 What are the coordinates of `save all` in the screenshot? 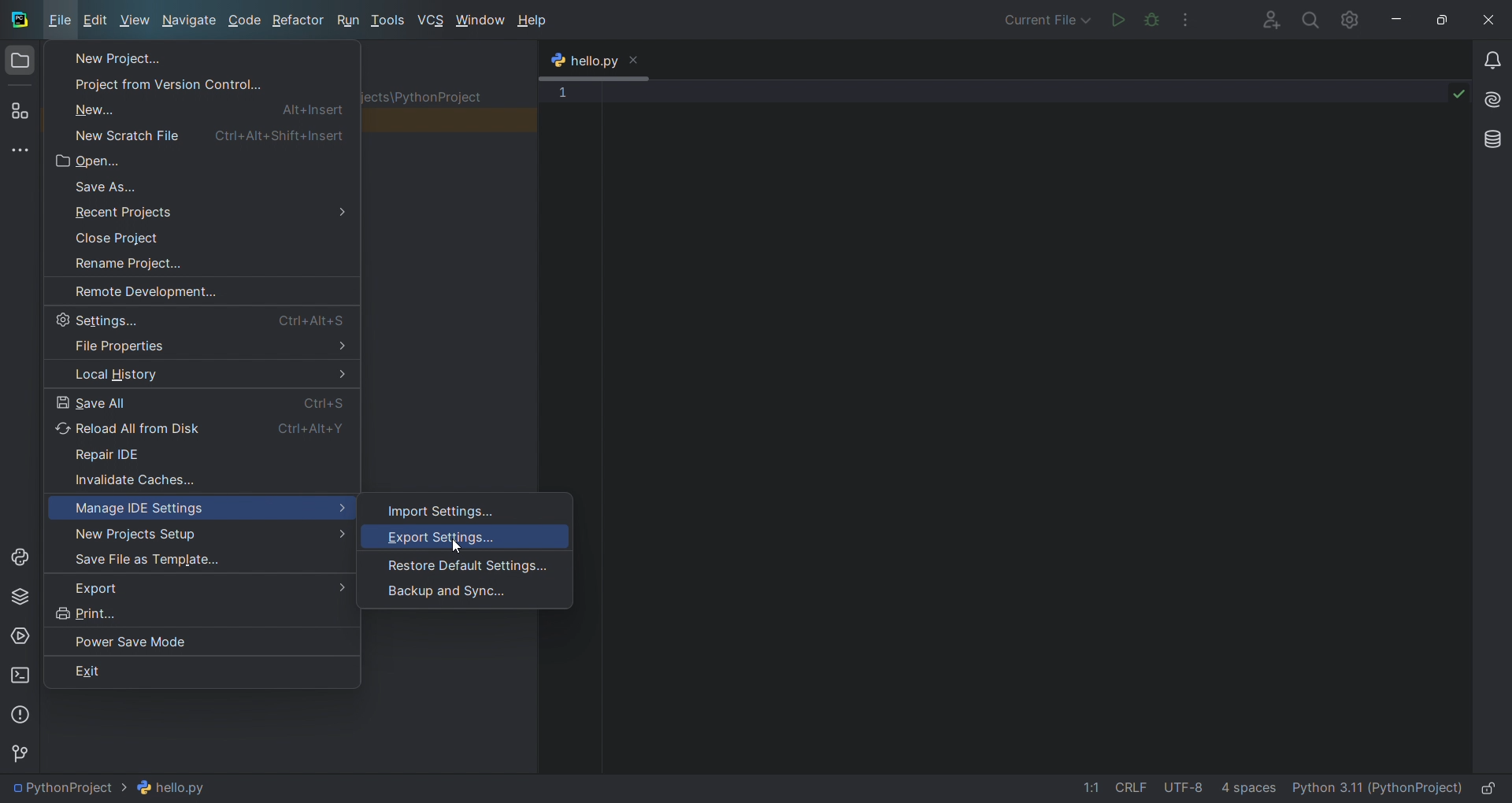 It's located at (203, 401).